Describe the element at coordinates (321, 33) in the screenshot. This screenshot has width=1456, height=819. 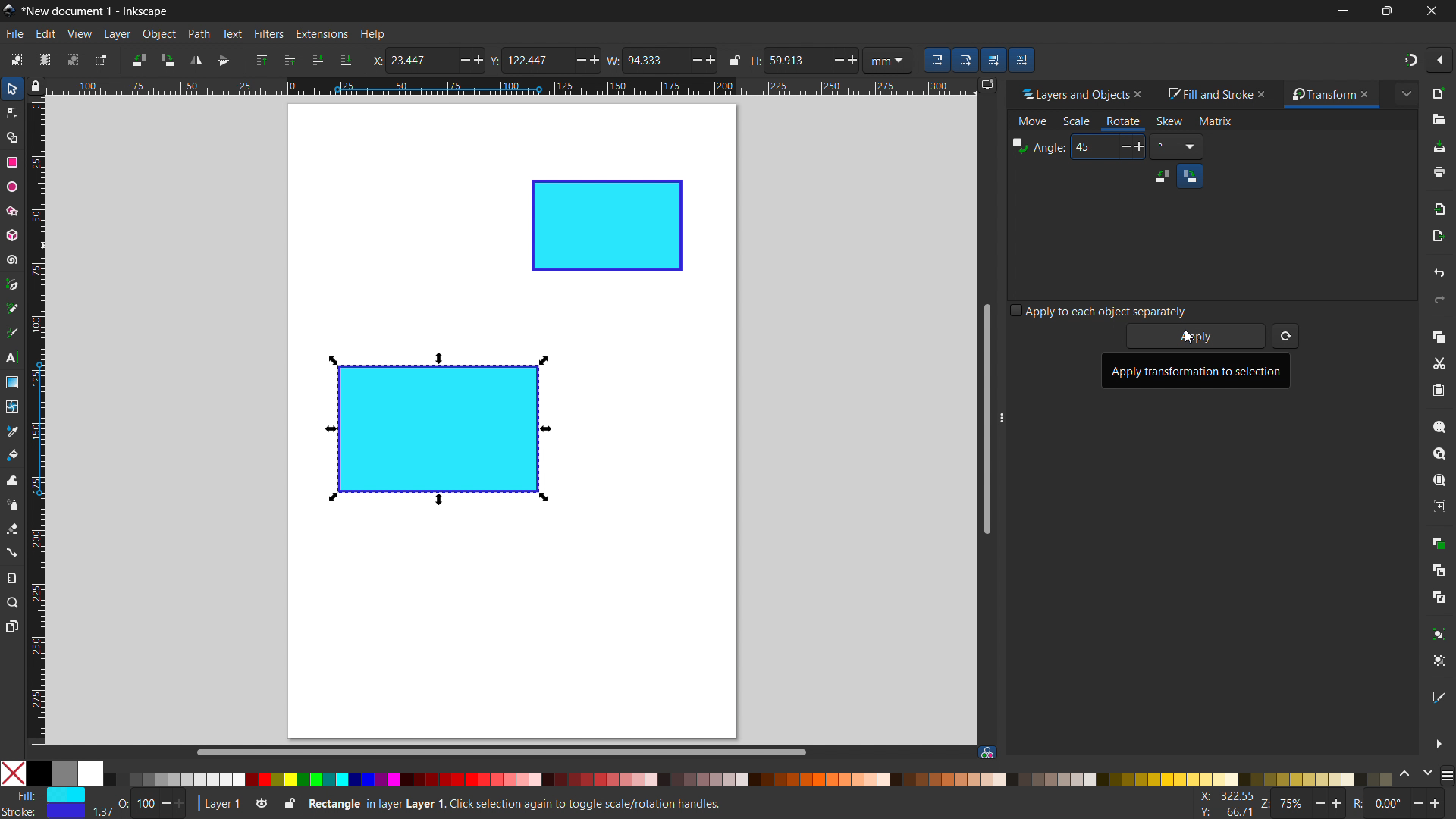
I see `extensions` at that location.